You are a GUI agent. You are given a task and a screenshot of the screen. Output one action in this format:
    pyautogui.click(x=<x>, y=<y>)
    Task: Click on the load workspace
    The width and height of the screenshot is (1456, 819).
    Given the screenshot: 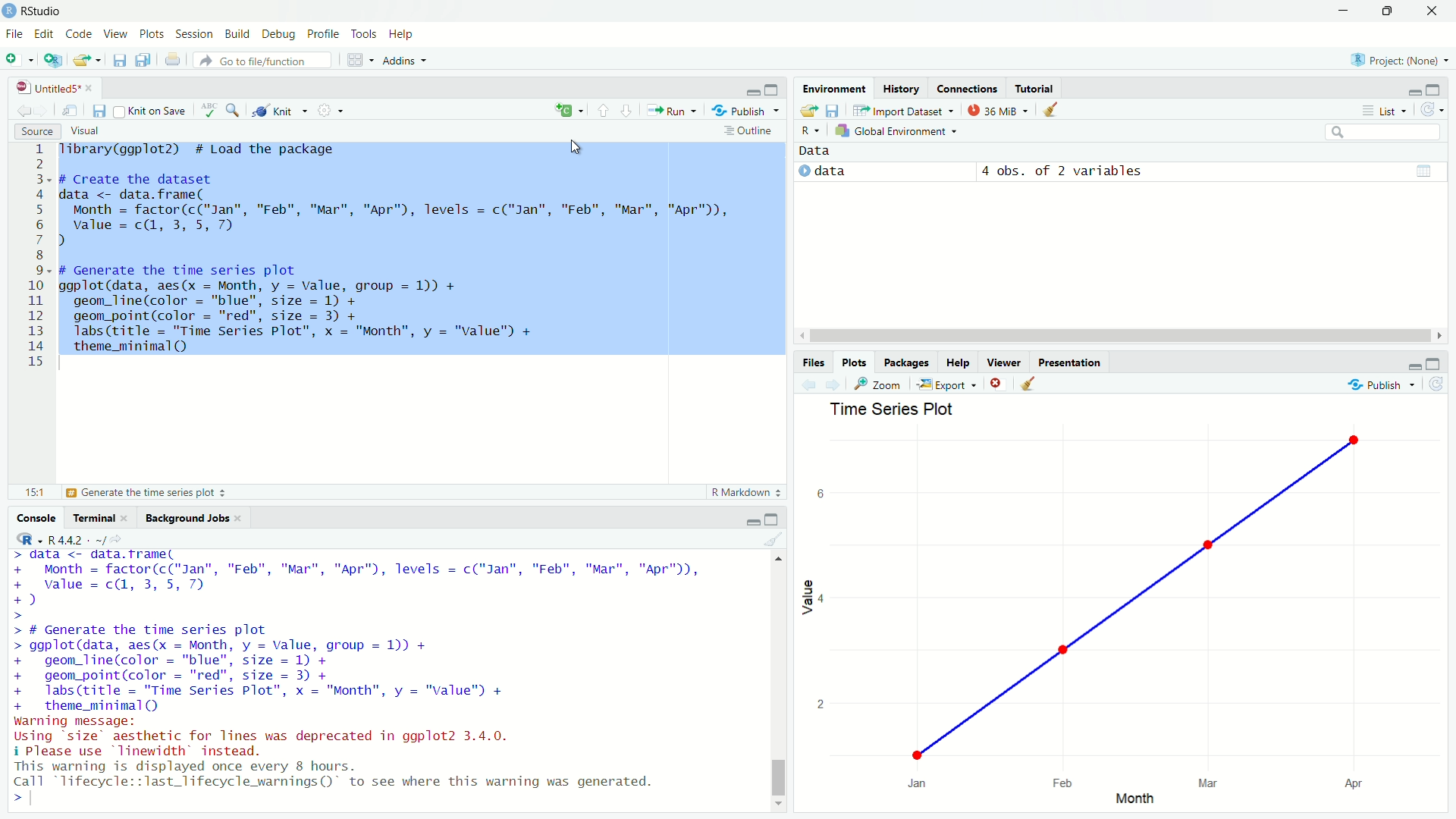 What is the action you would take?
    pyautogui.click(x=808, y=111)
    